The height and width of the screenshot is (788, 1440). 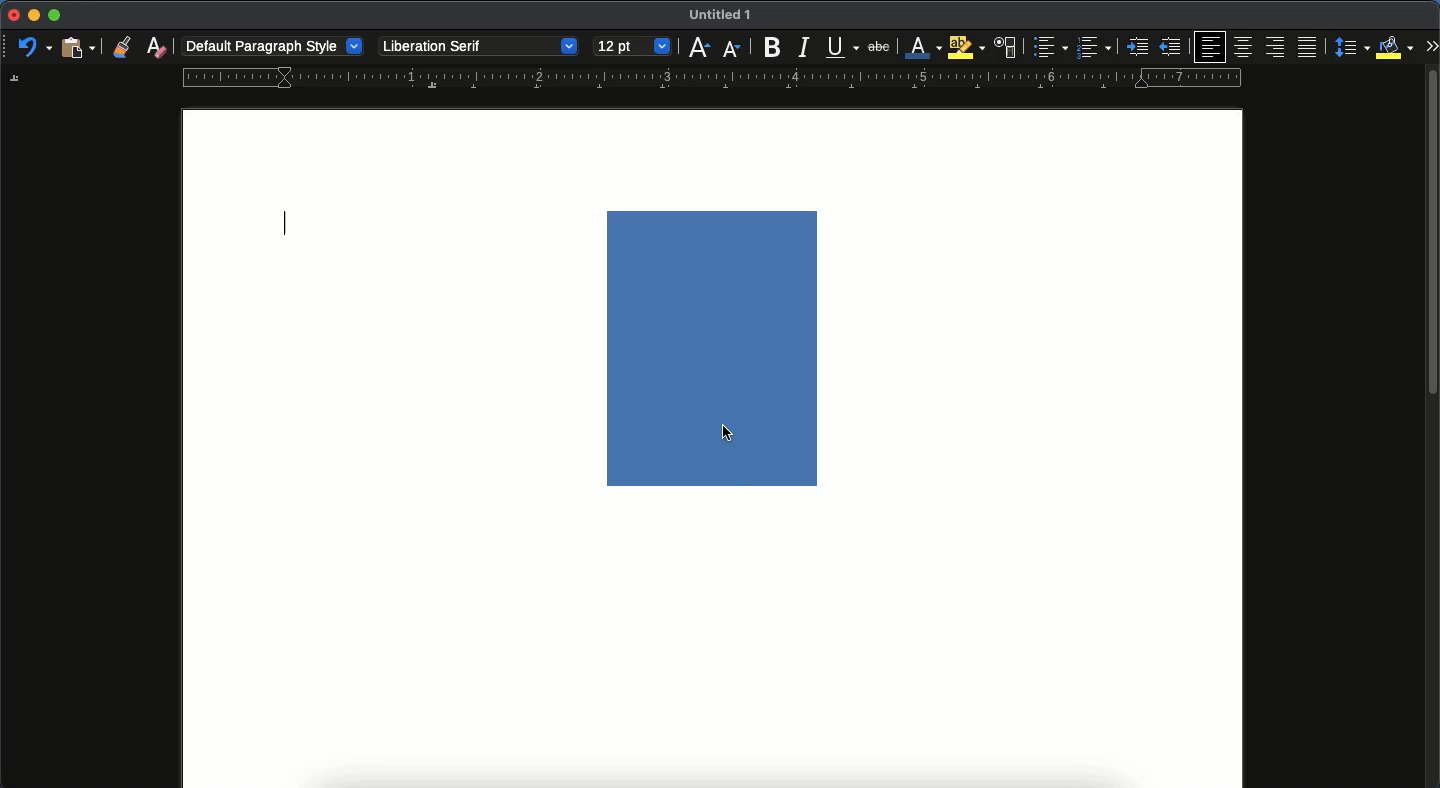 What do you see at coordinates (123, 48) in the screenshot?
I see `clone formatting` at bounding box center [123, 48].